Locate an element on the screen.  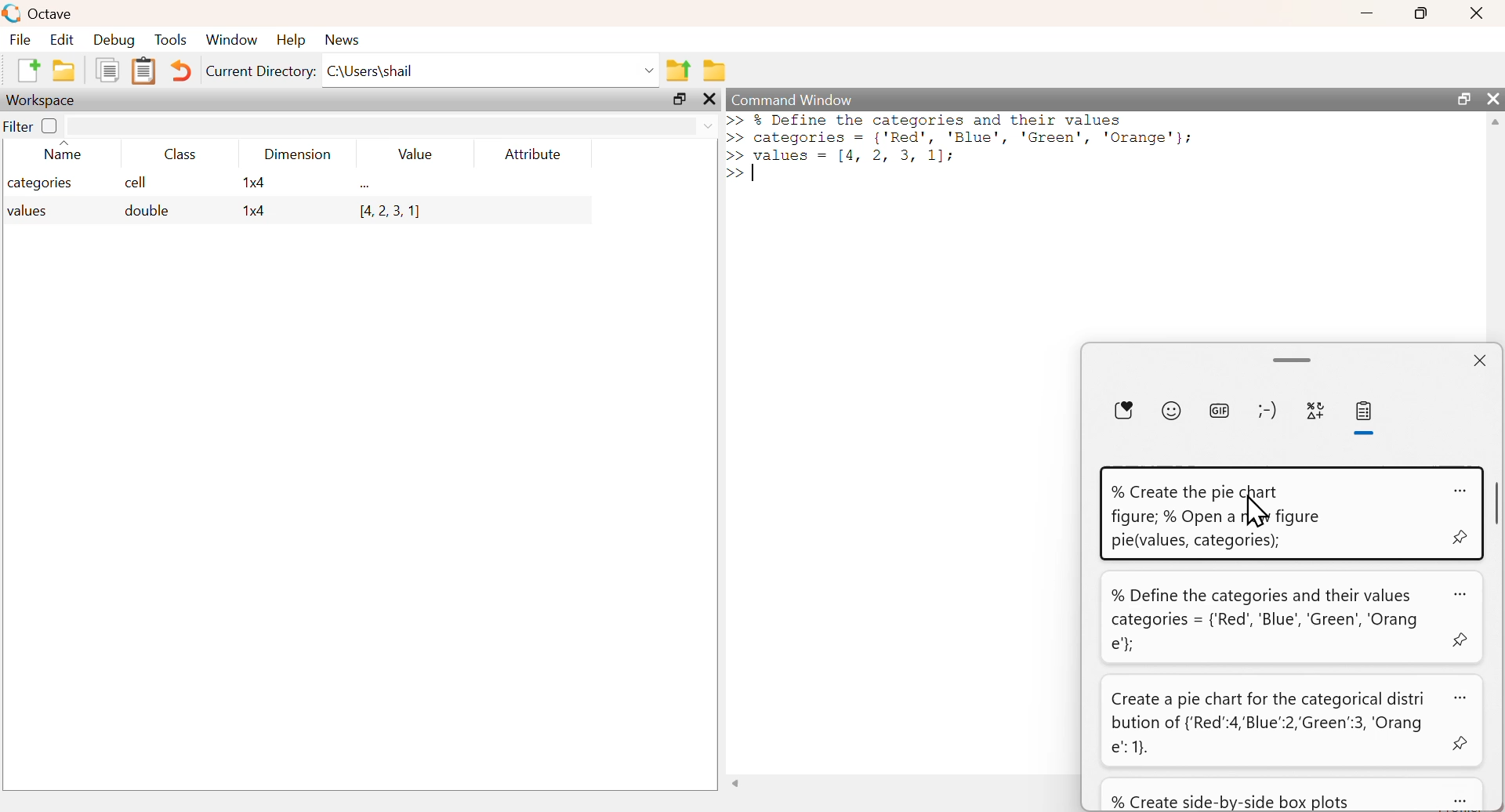
maximize is located at coordinates (1463, 97).